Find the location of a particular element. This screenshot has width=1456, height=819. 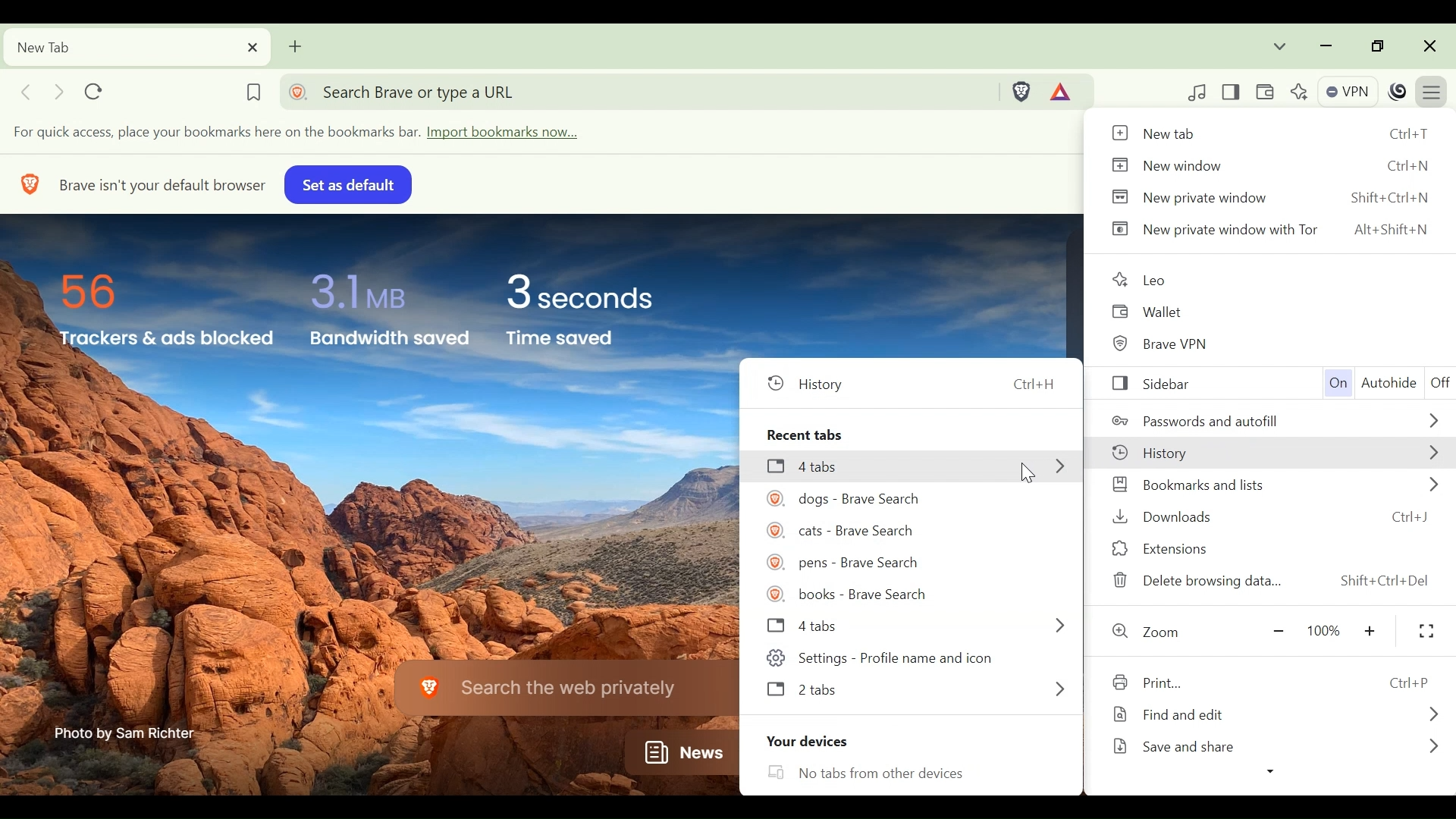

History is located at coordinates (1272, 452).